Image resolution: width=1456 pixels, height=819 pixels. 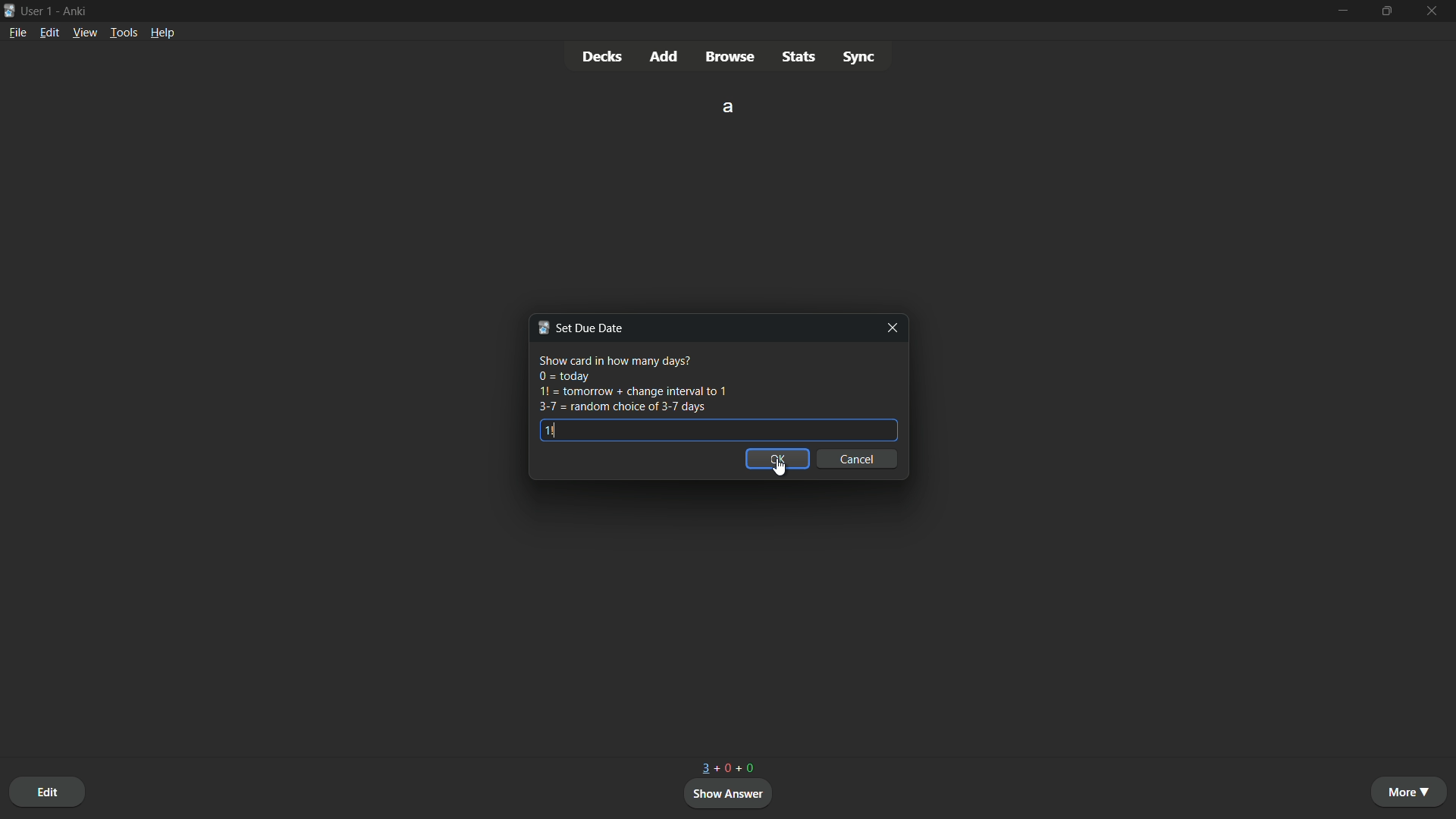 I want to click on decks, so click(x=601, y=55).